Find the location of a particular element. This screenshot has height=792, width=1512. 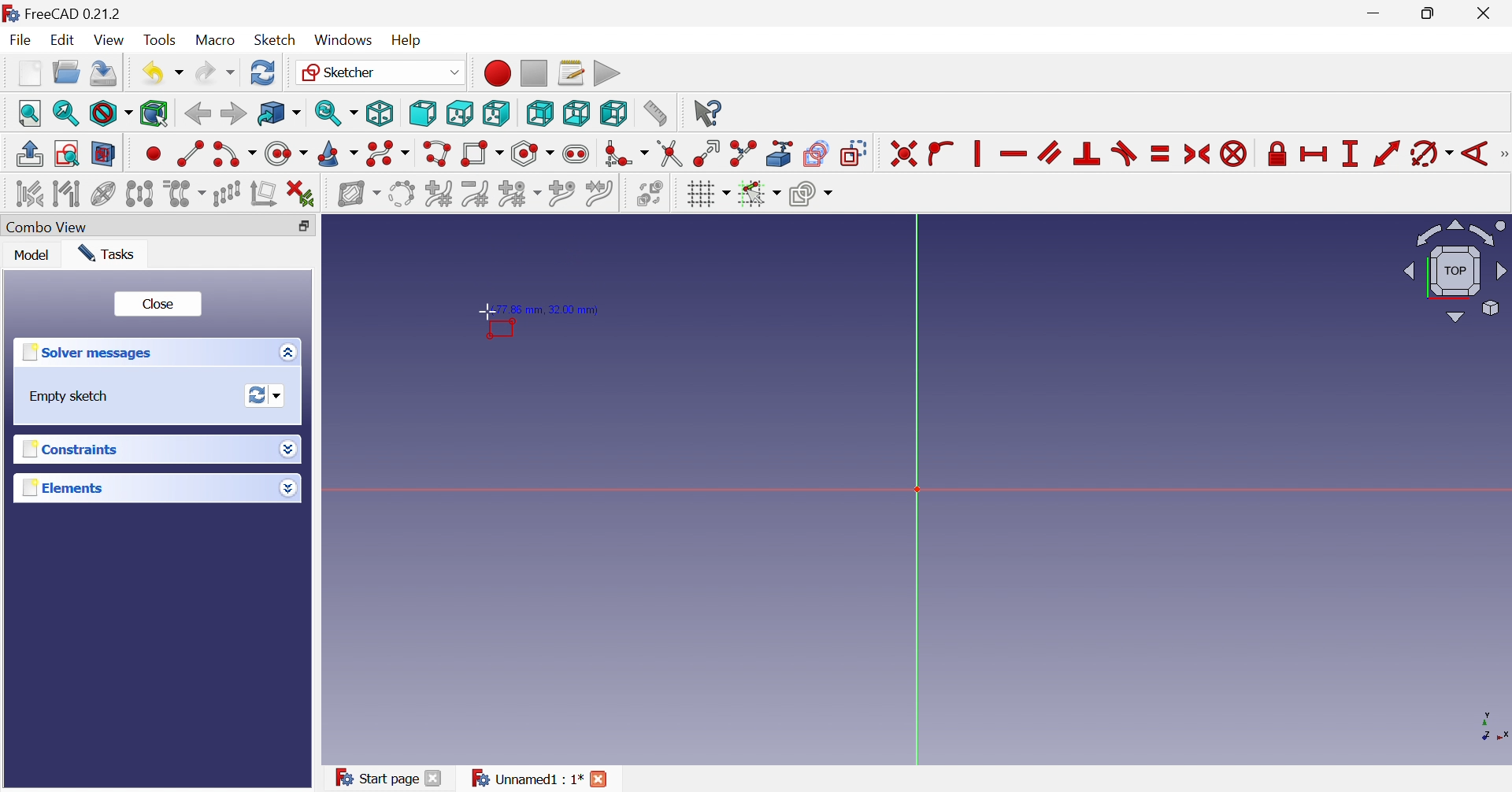

Modify knot multiplicity is located at coordinates (519, 195).